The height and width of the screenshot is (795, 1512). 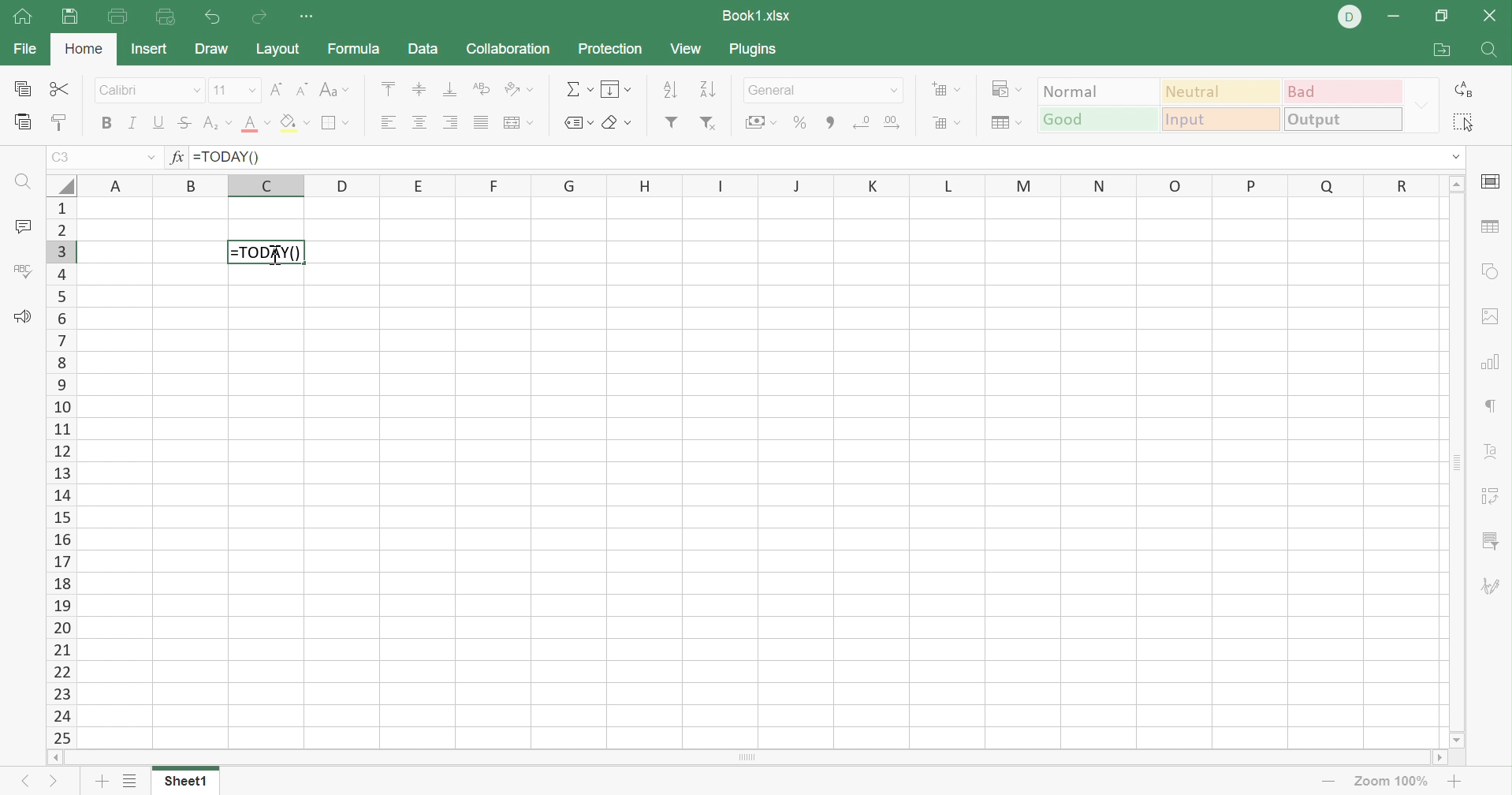 What do you see at coordinates (23, 227) in the screenshot?
I see `Comment` at bounding box center [23, 227].